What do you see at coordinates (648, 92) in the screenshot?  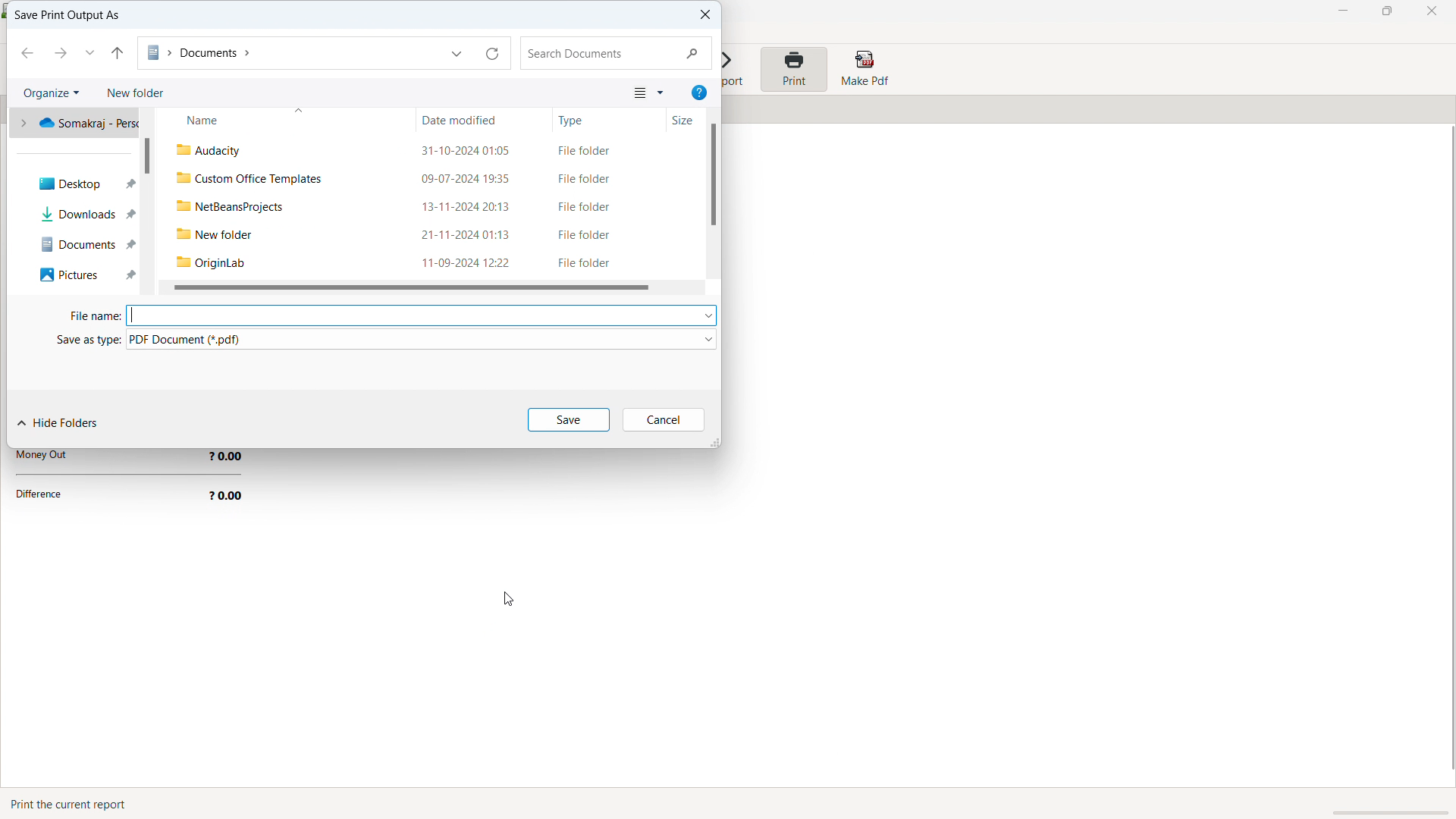 I see `view` at bounding box center [648, 92].